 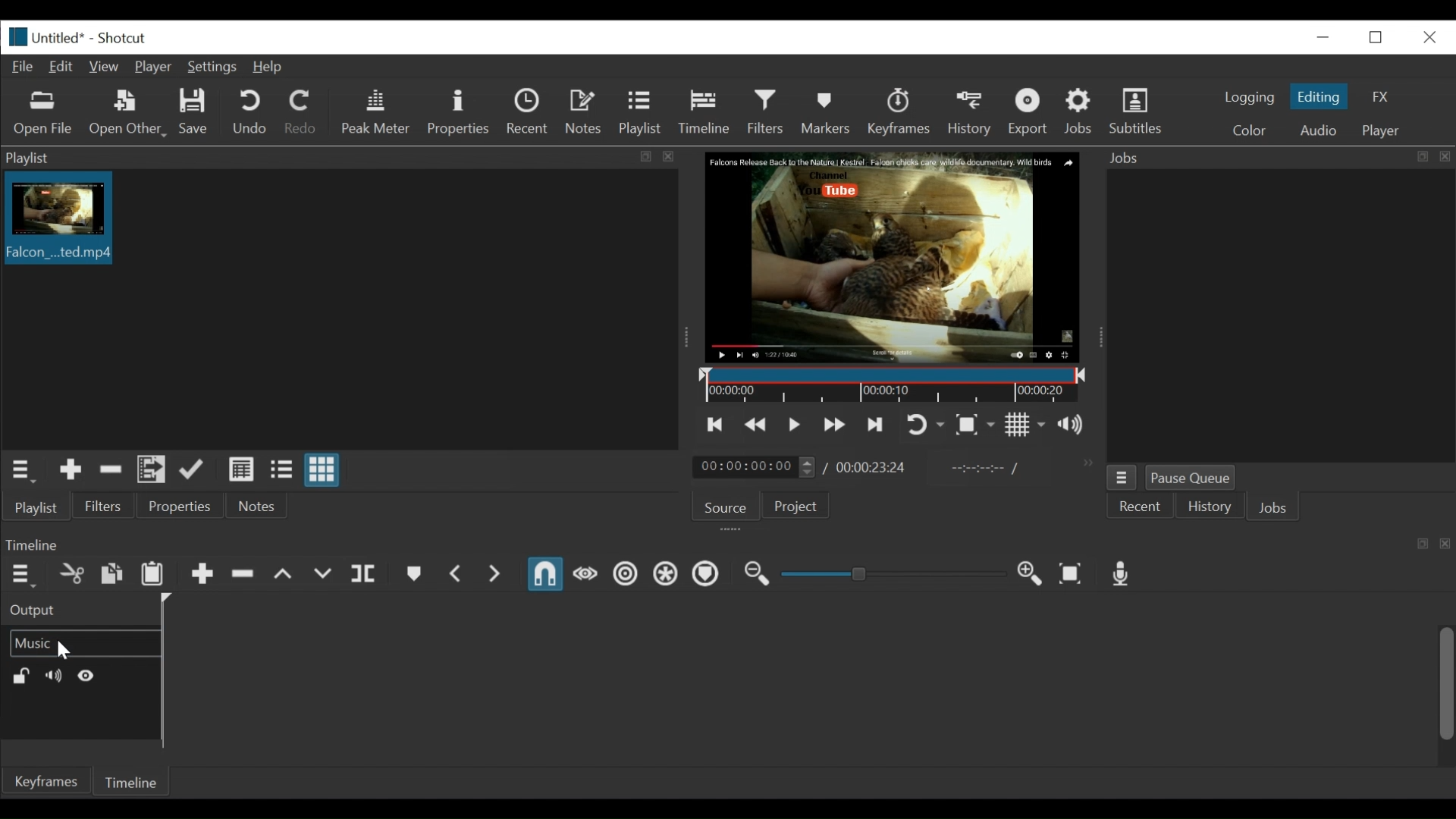 I want to click on Current duration, so click(x=755, y=468).